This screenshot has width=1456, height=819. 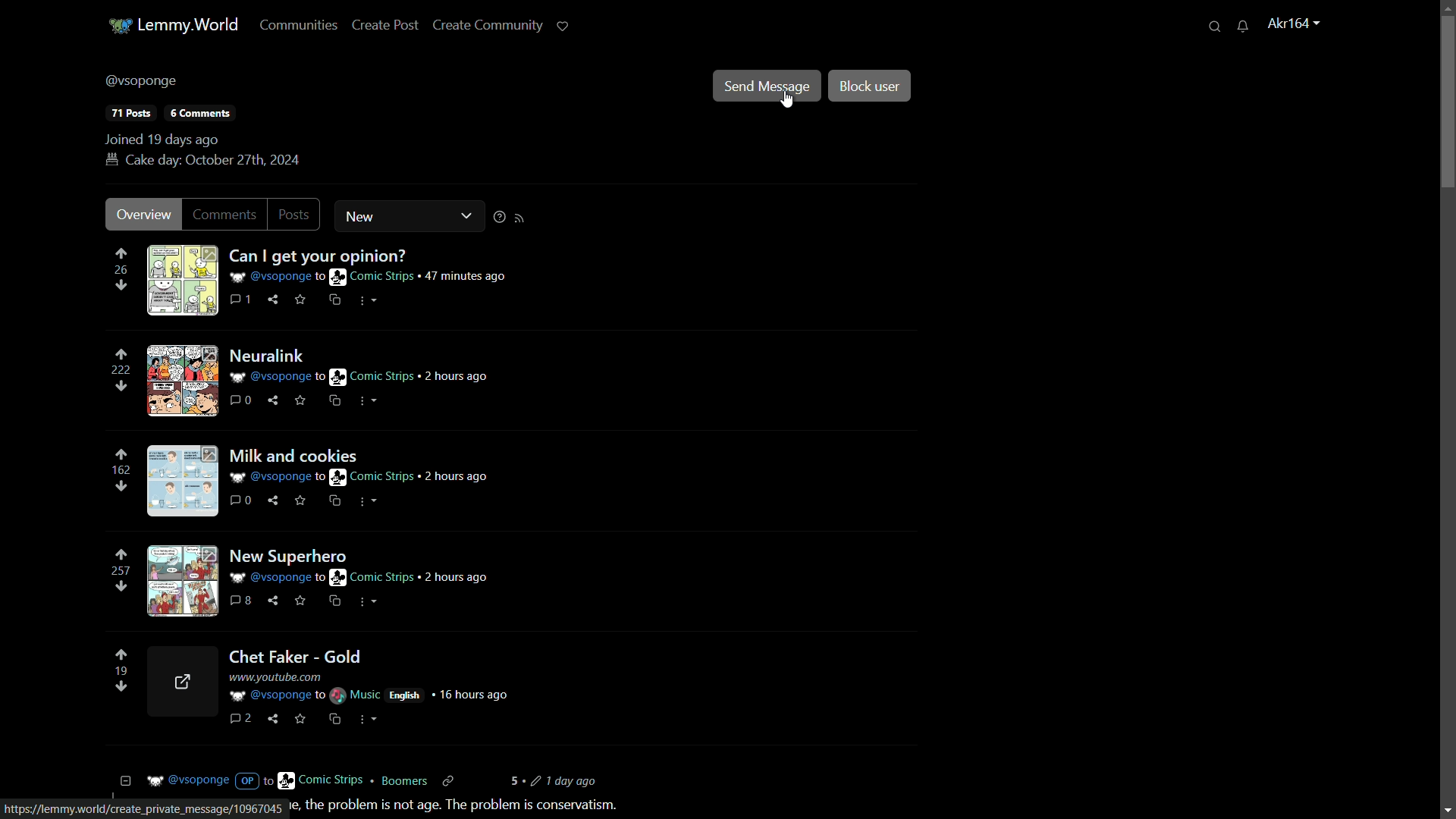 What do you see at coordinates (203, 160) in the screenshot?
I see `birthdate` at bounding box center [203, 160].